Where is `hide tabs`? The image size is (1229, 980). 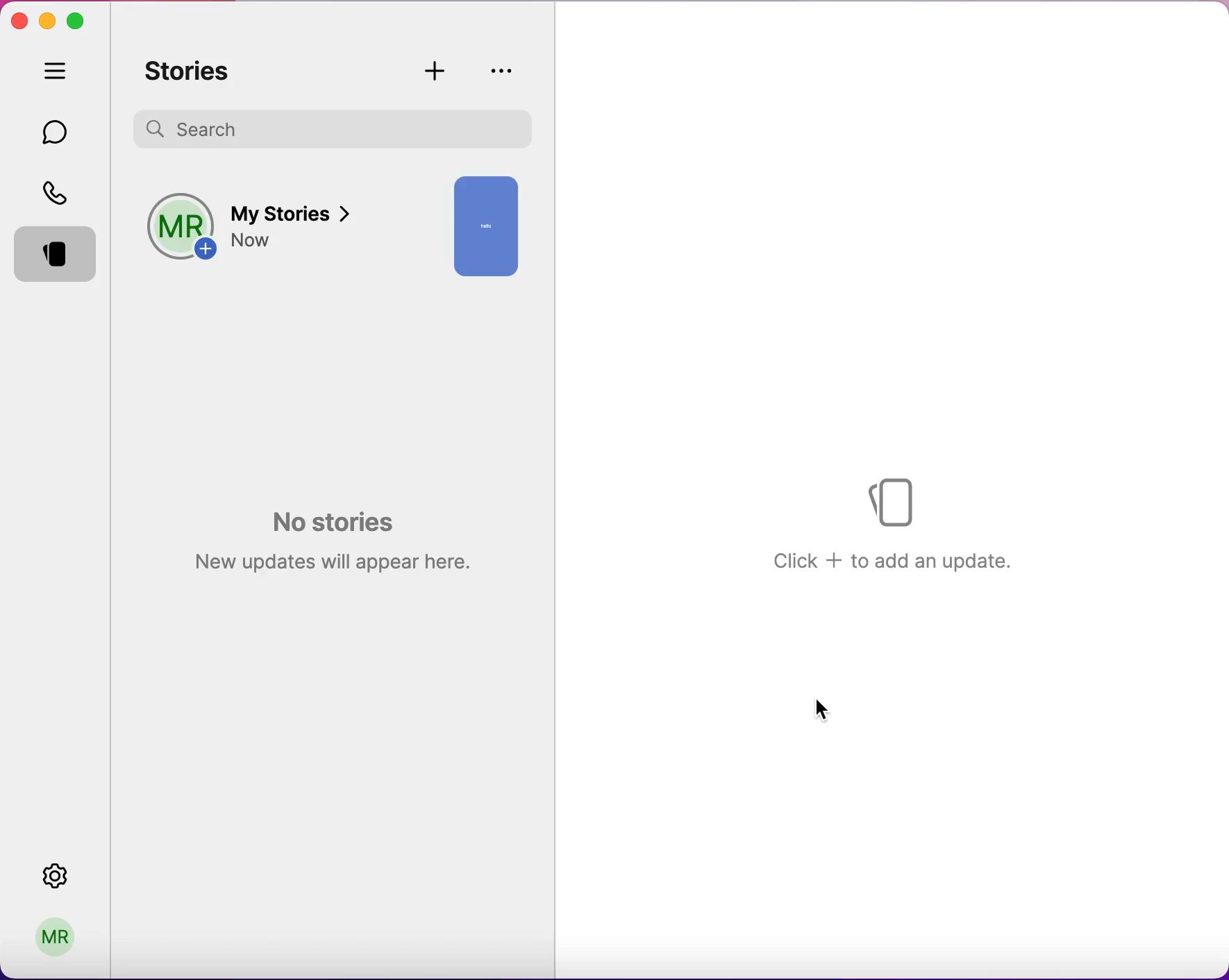 hide tabs is located at coordinates (58, 74).